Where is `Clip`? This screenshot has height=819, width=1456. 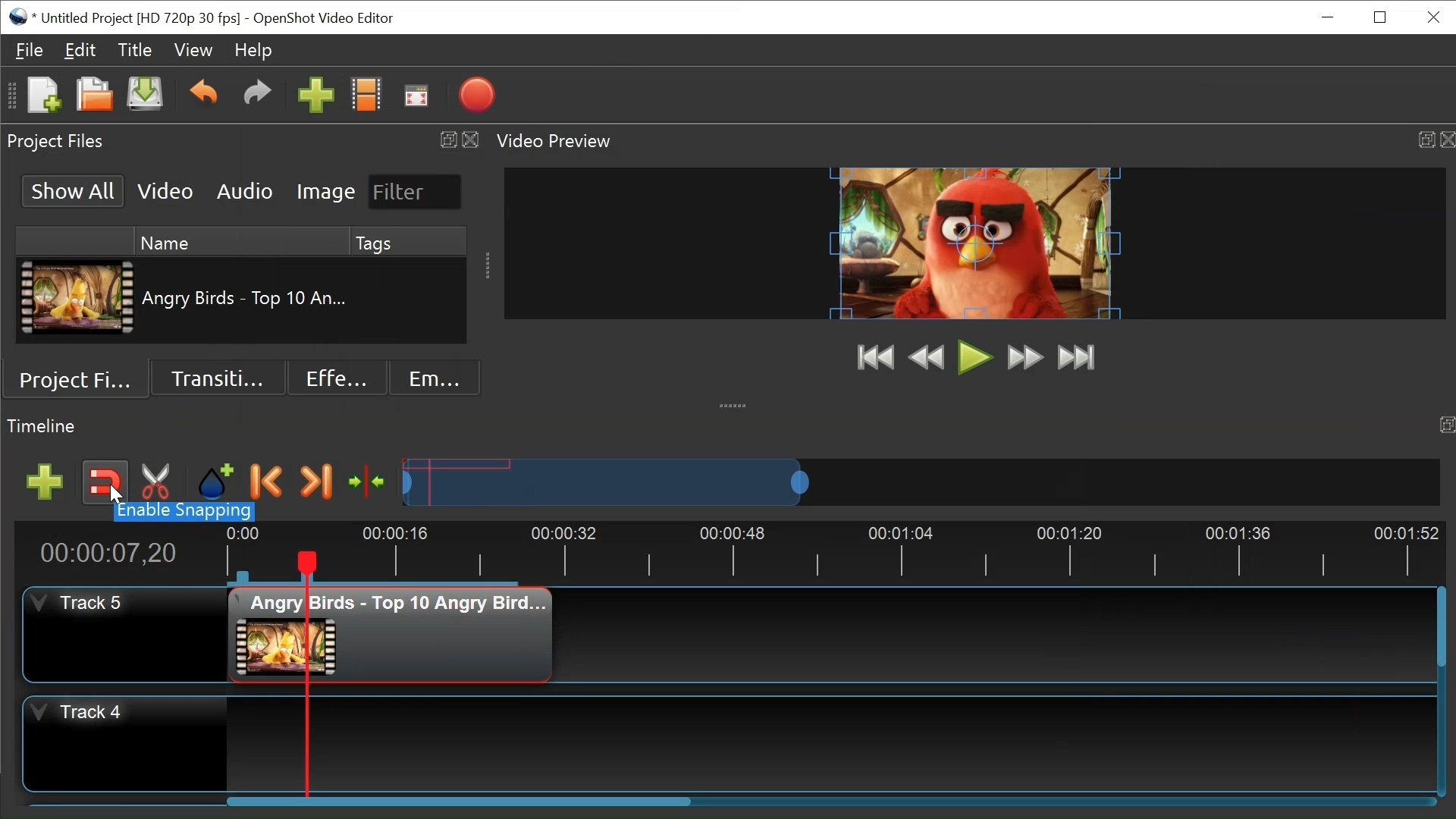 Clip is located at coordinates (76, 297).